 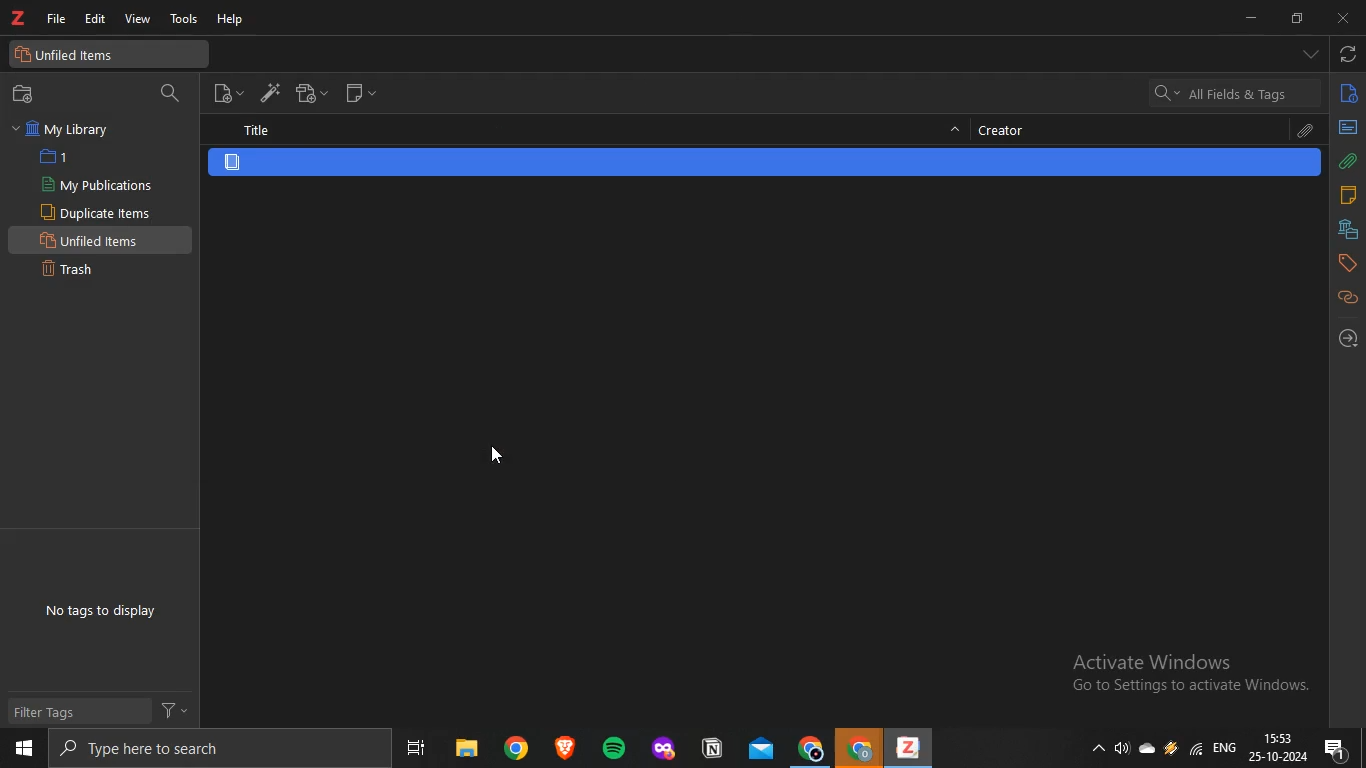 What do you see at coordinates (58, 157) in the screenshot?
I see `1` at bounding box center [58, 157].